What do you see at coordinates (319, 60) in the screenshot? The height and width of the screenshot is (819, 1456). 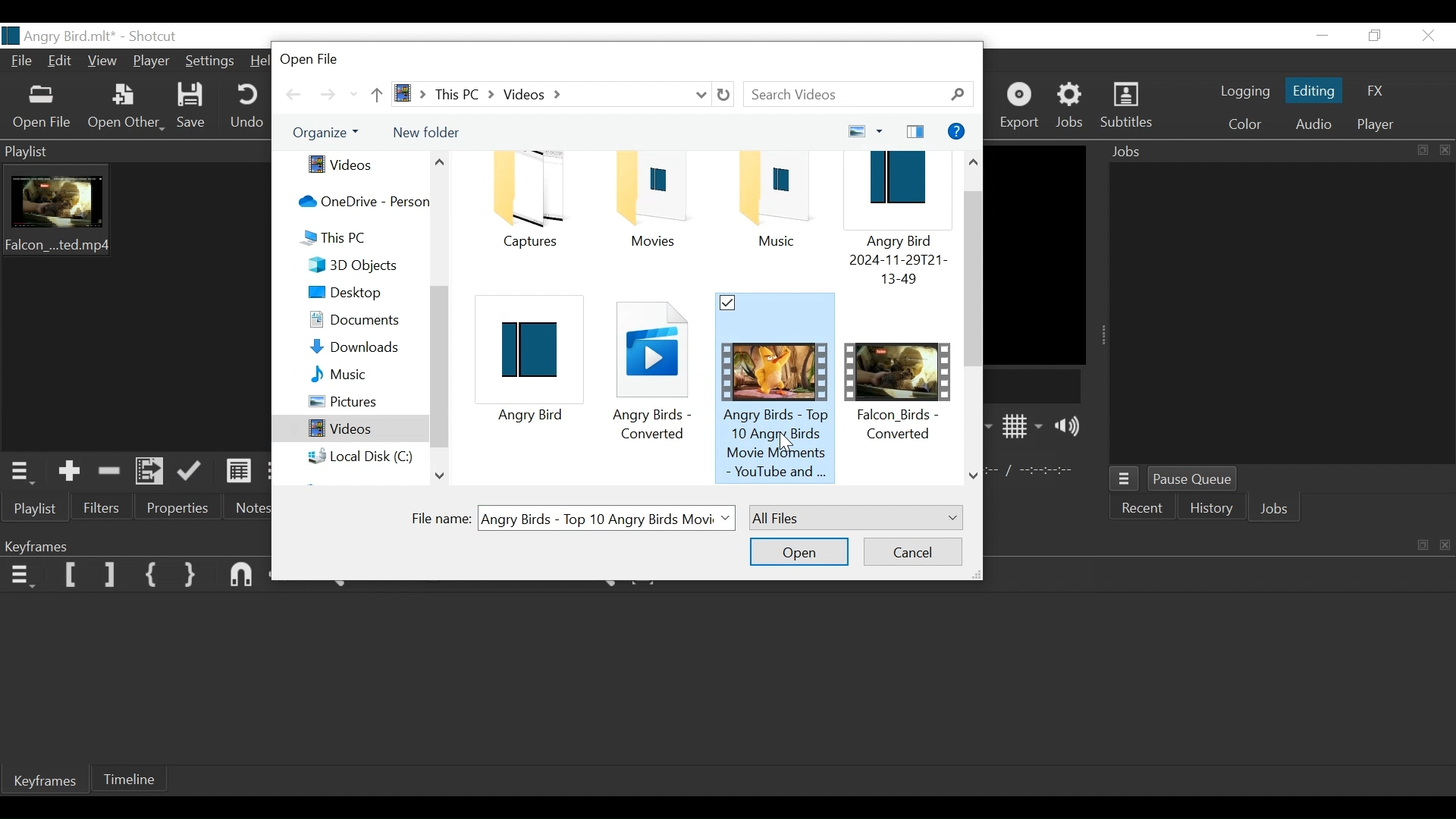 I see `Open File` at bounding box center [319, 60].